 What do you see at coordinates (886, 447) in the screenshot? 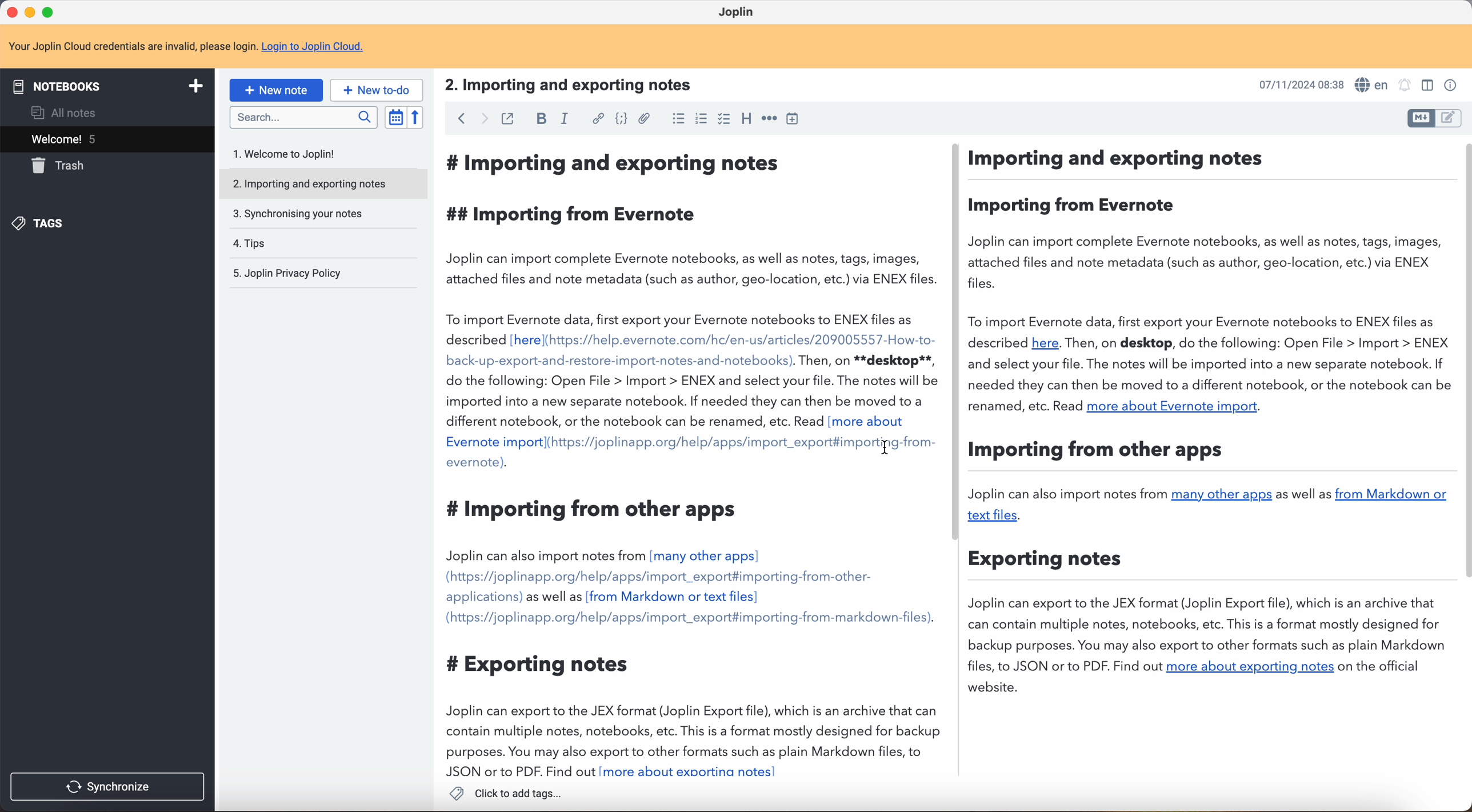
I see `cursor` at bounding box center [886, 447].